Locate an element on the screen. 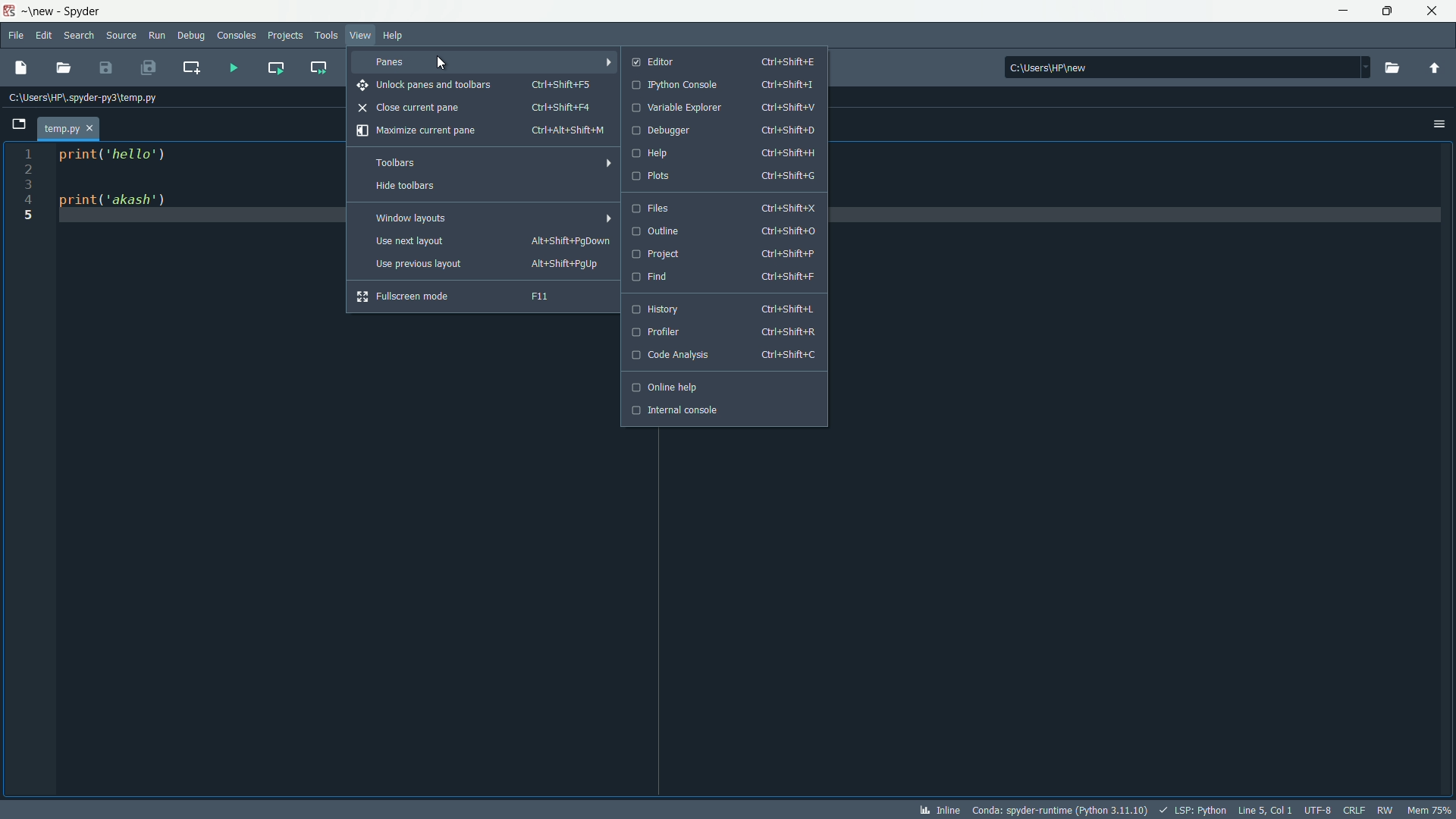  cursor is located at coordinates (444, 63).